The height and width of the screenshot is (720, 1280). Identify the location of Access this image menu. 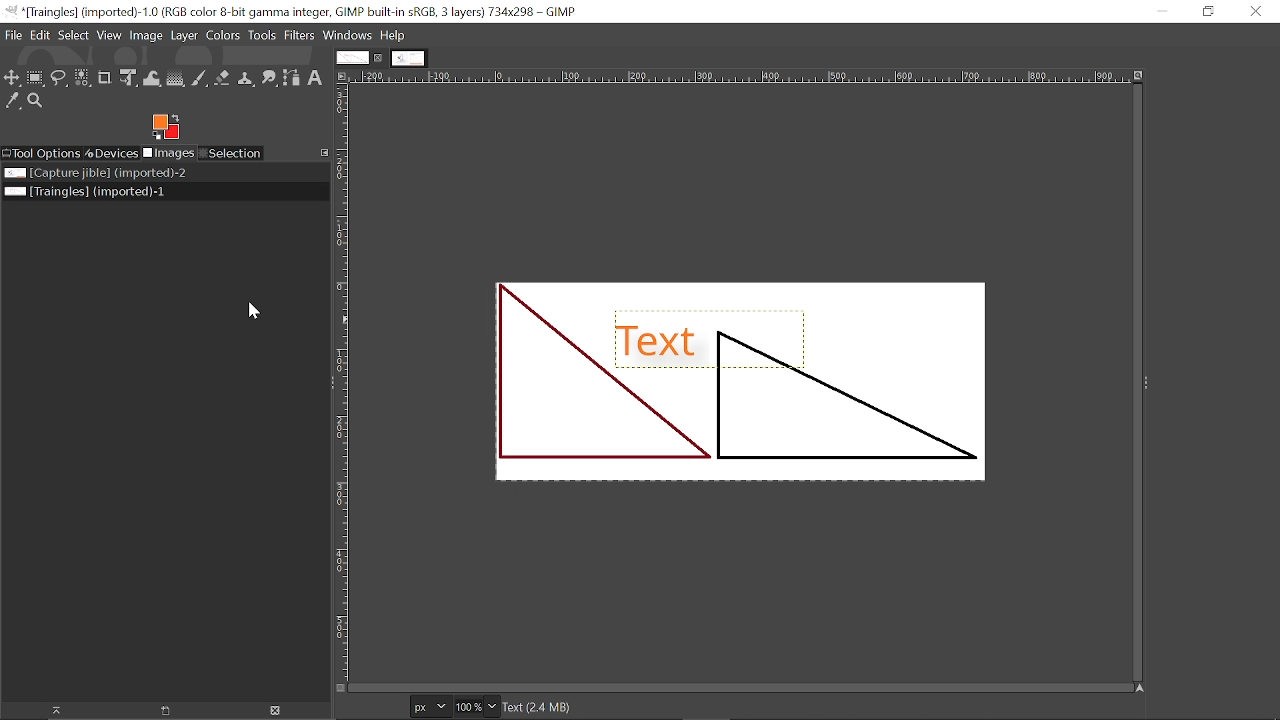
(344, 77).